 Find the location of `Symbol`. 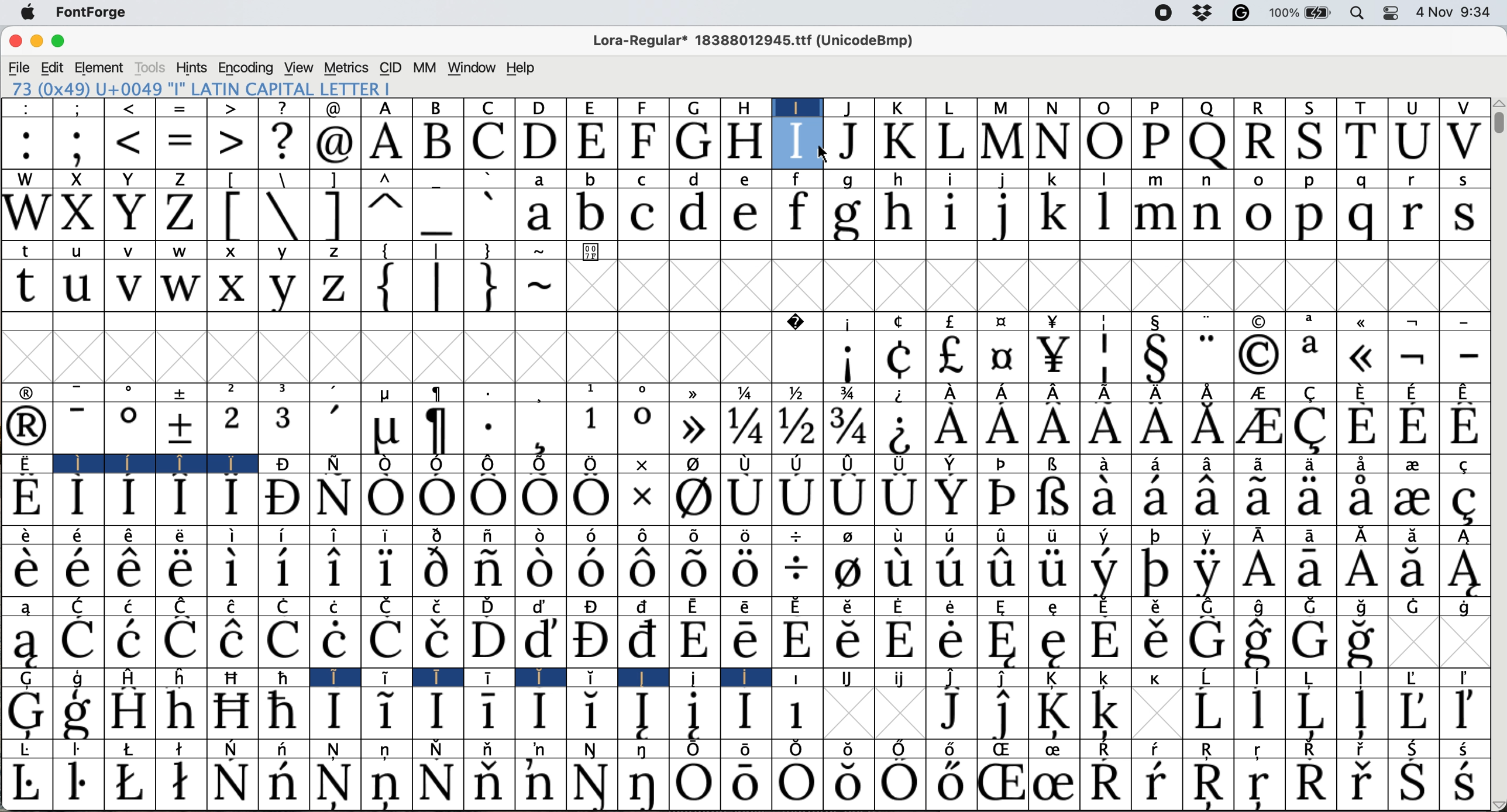

Symbol is located at coordinates (949, 785).